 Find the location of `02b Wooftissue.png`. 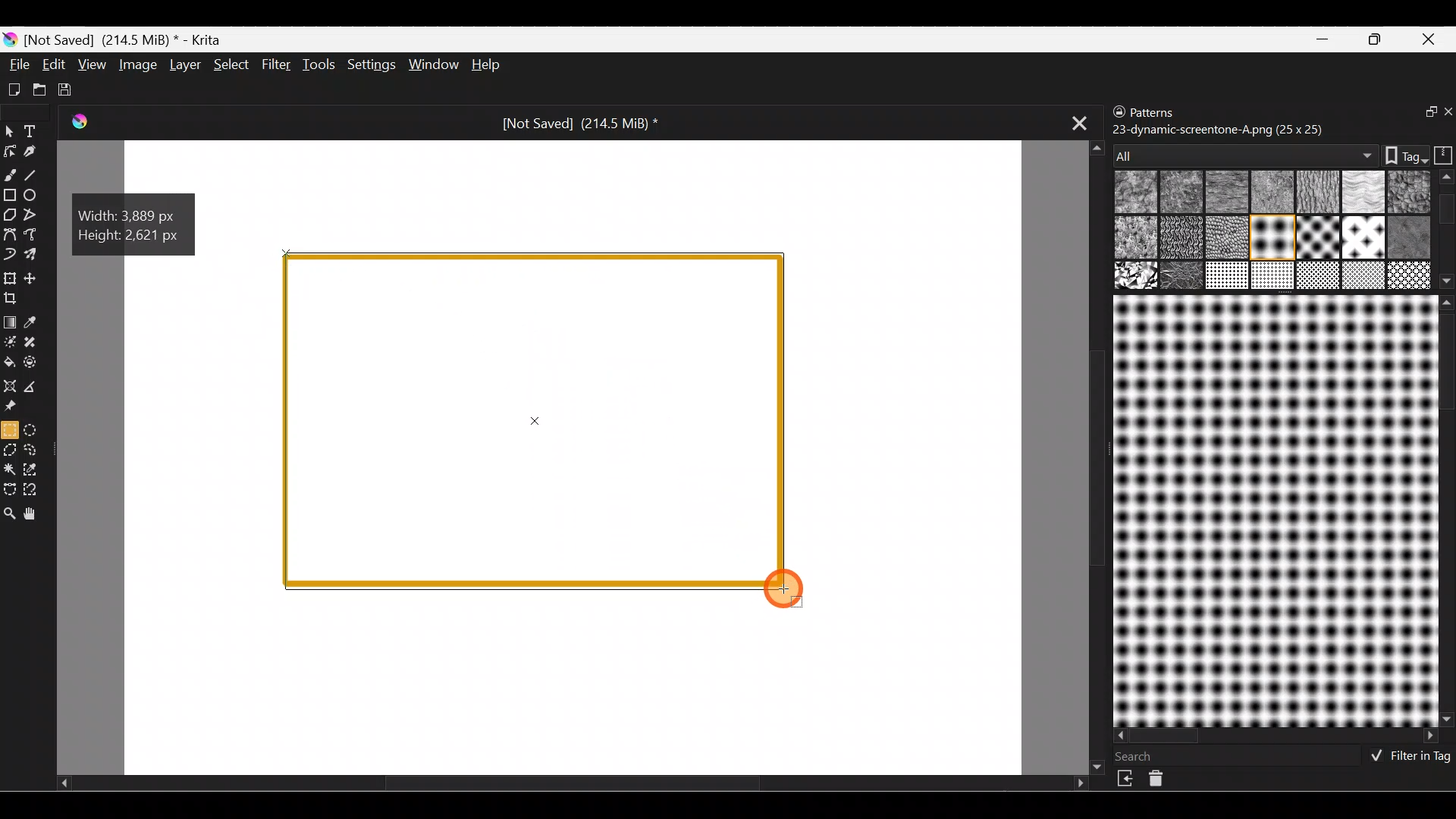

02b Wooftissue.png is located at coordinates (1223, 193).